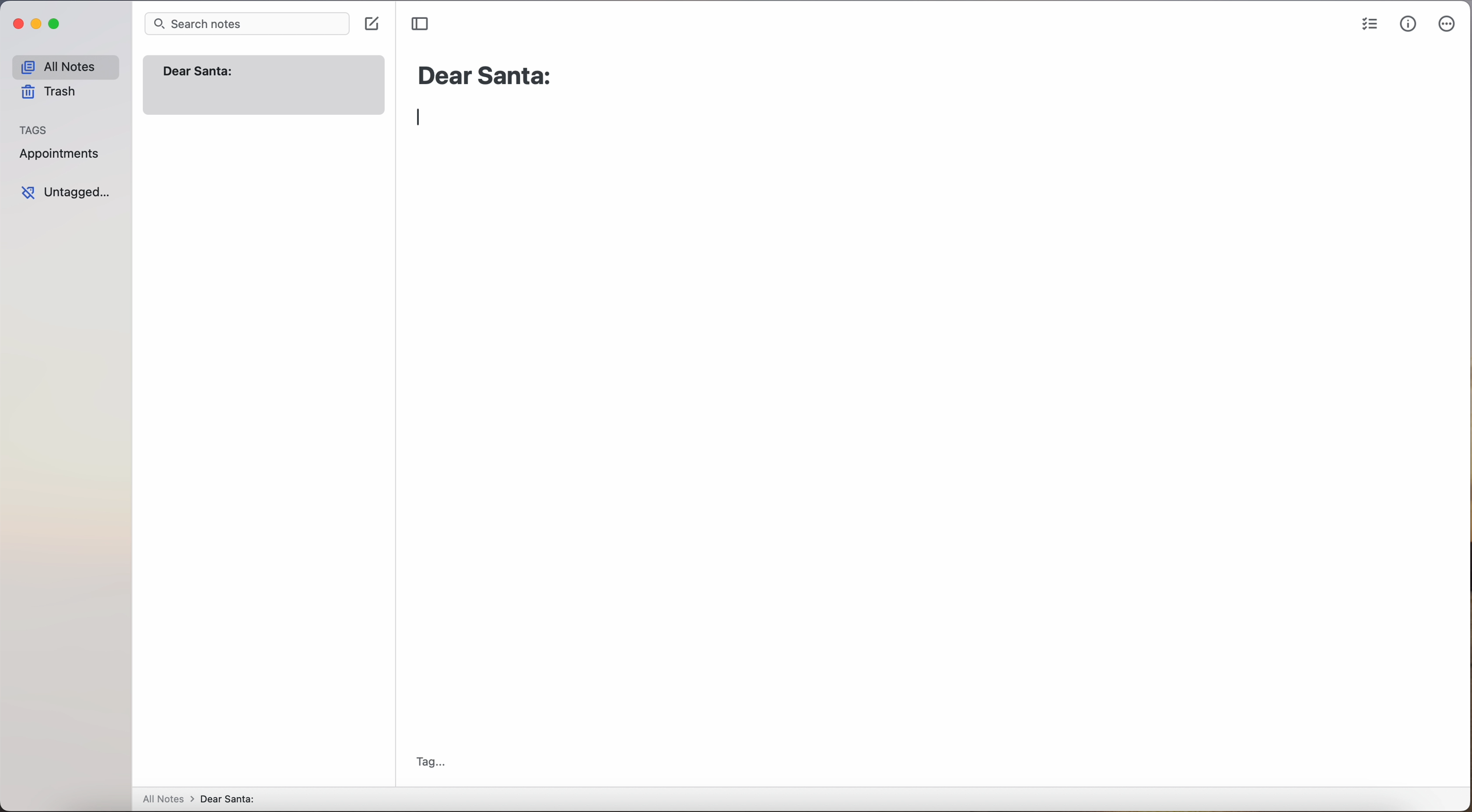 The image size is (1472, 812). What do you see at coordinates (1370, 25) in the screenshot?
I see `check list` at bounding box center [1370, 25].